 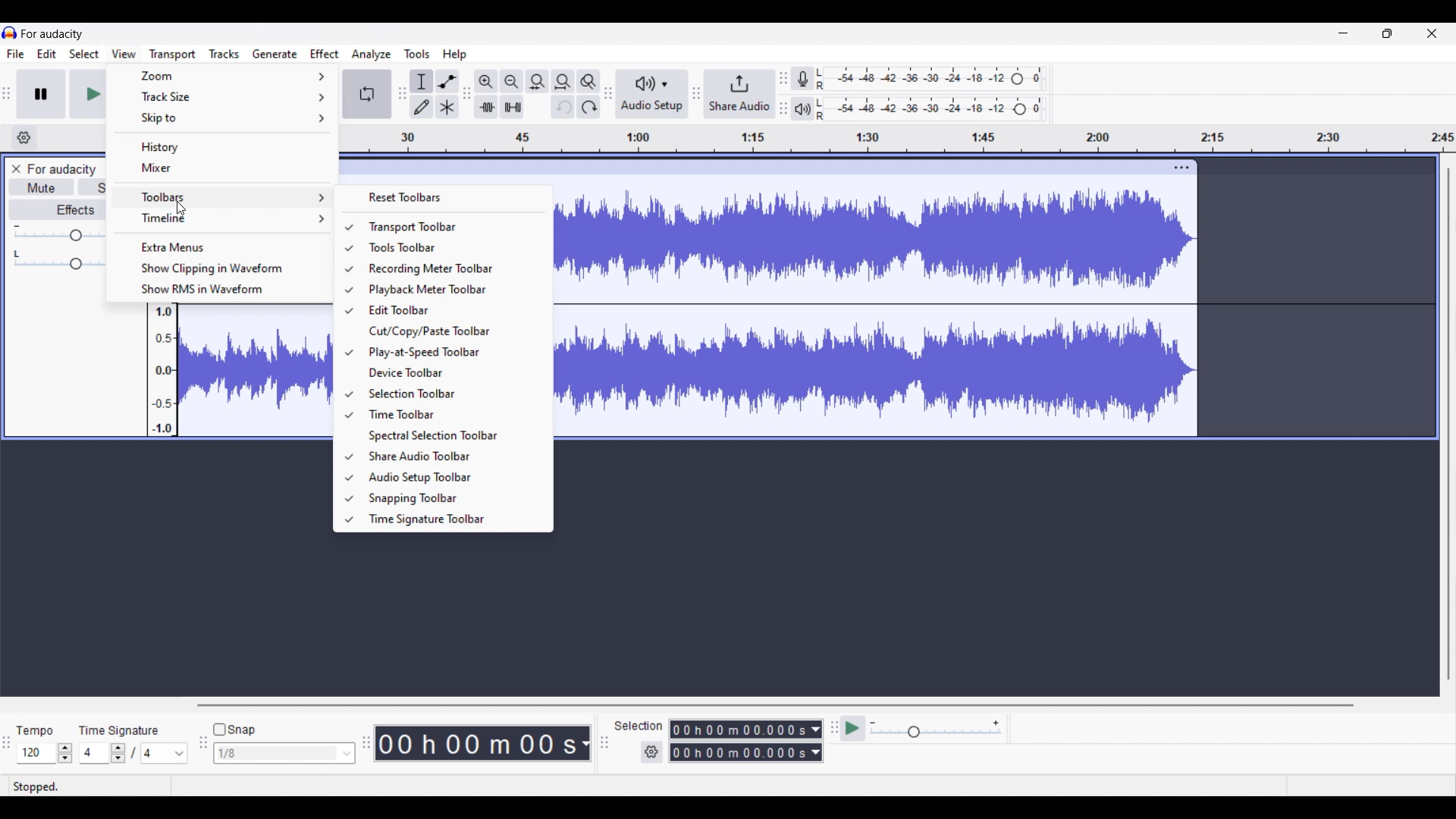 I want to click on Volume slider, so click(x=57, y=234).